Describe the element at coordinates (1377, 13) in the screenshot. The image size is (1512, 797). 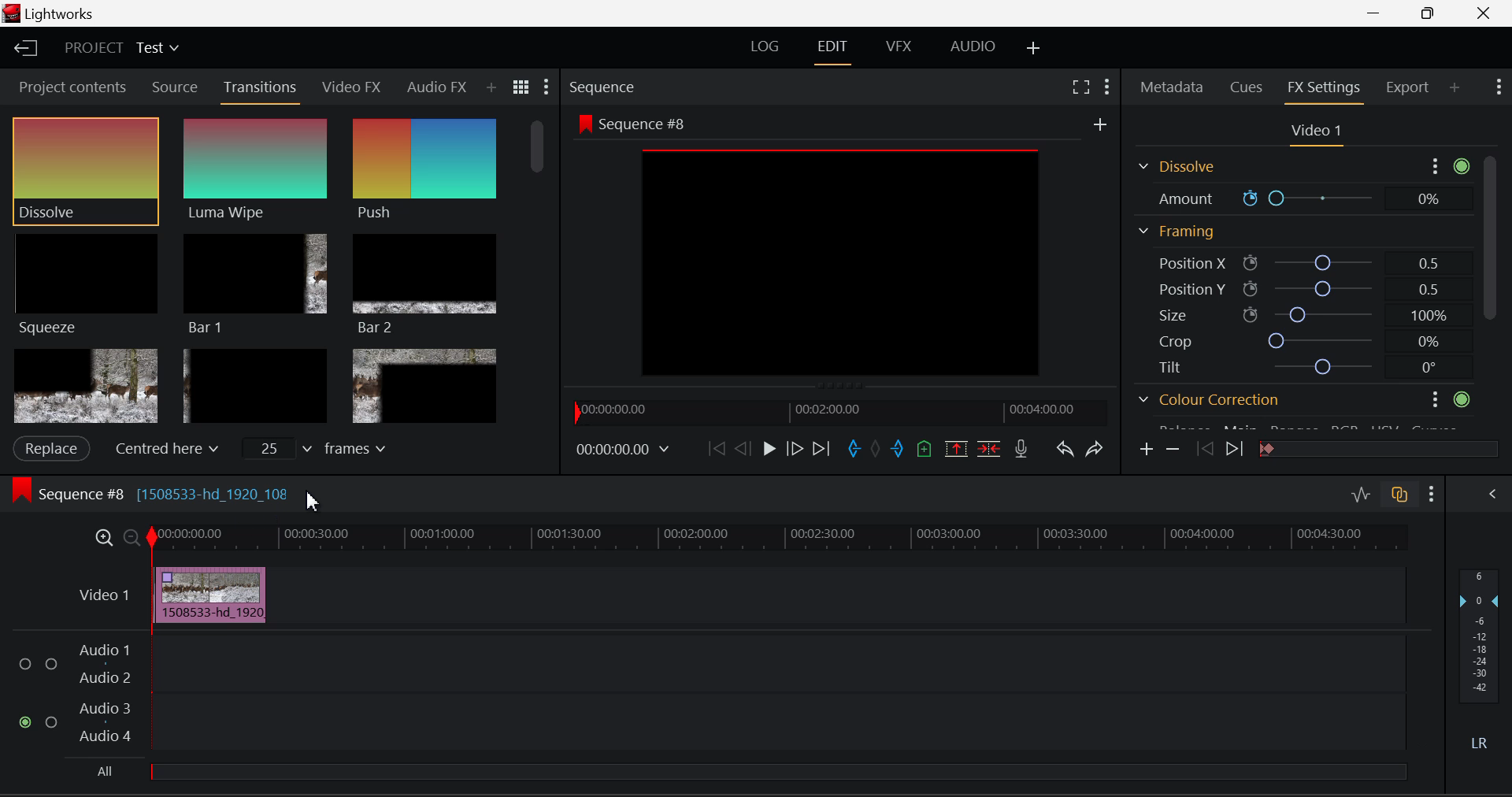
I see `Restore Down` at that location.